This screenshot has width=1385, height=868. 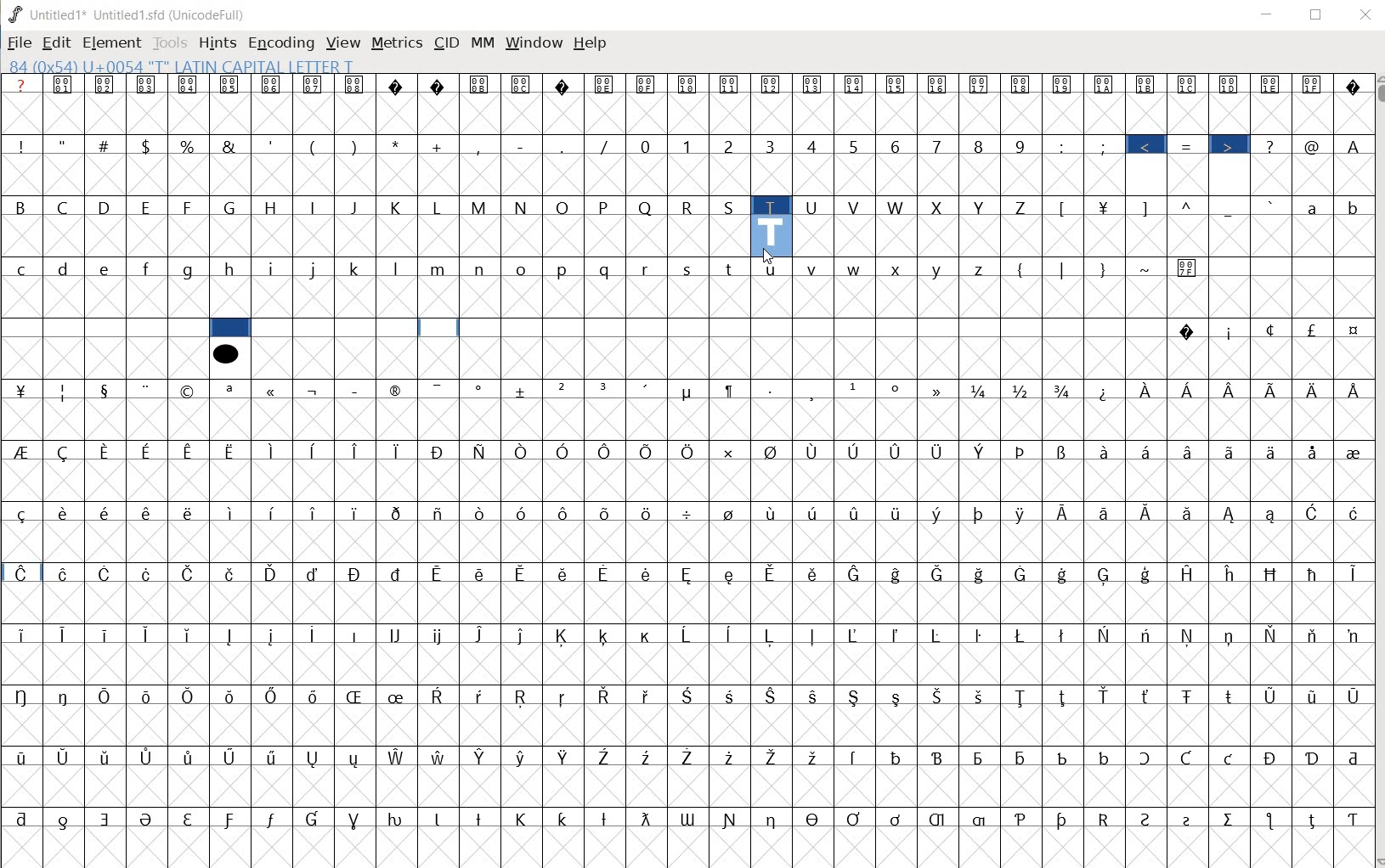 What do you see at coordinates (732, 573) in the screenshot?
I see `Symbol` at bounding box center [732, 573].